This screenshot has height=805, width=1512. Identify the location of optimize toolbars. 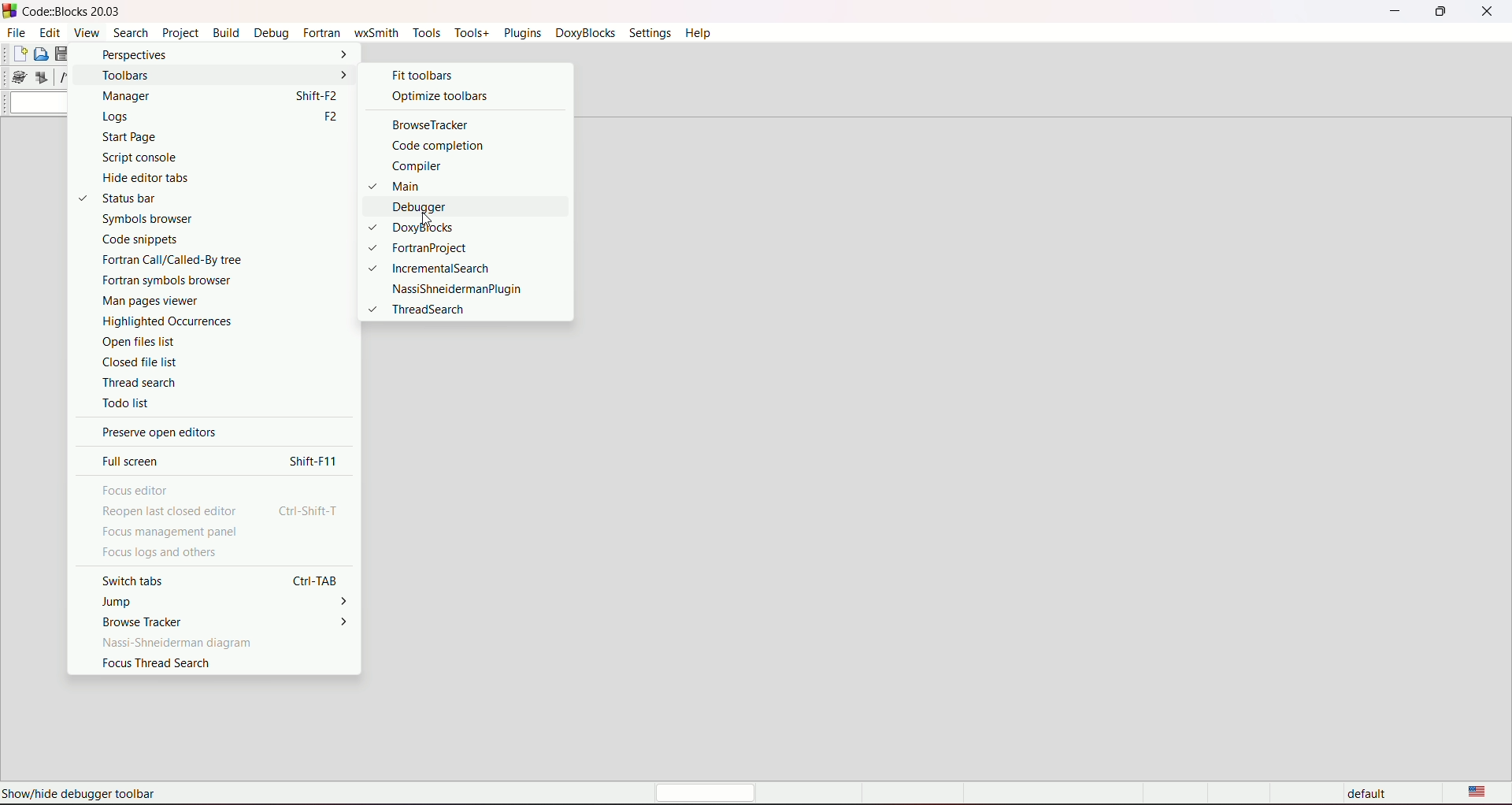
(439, 95).